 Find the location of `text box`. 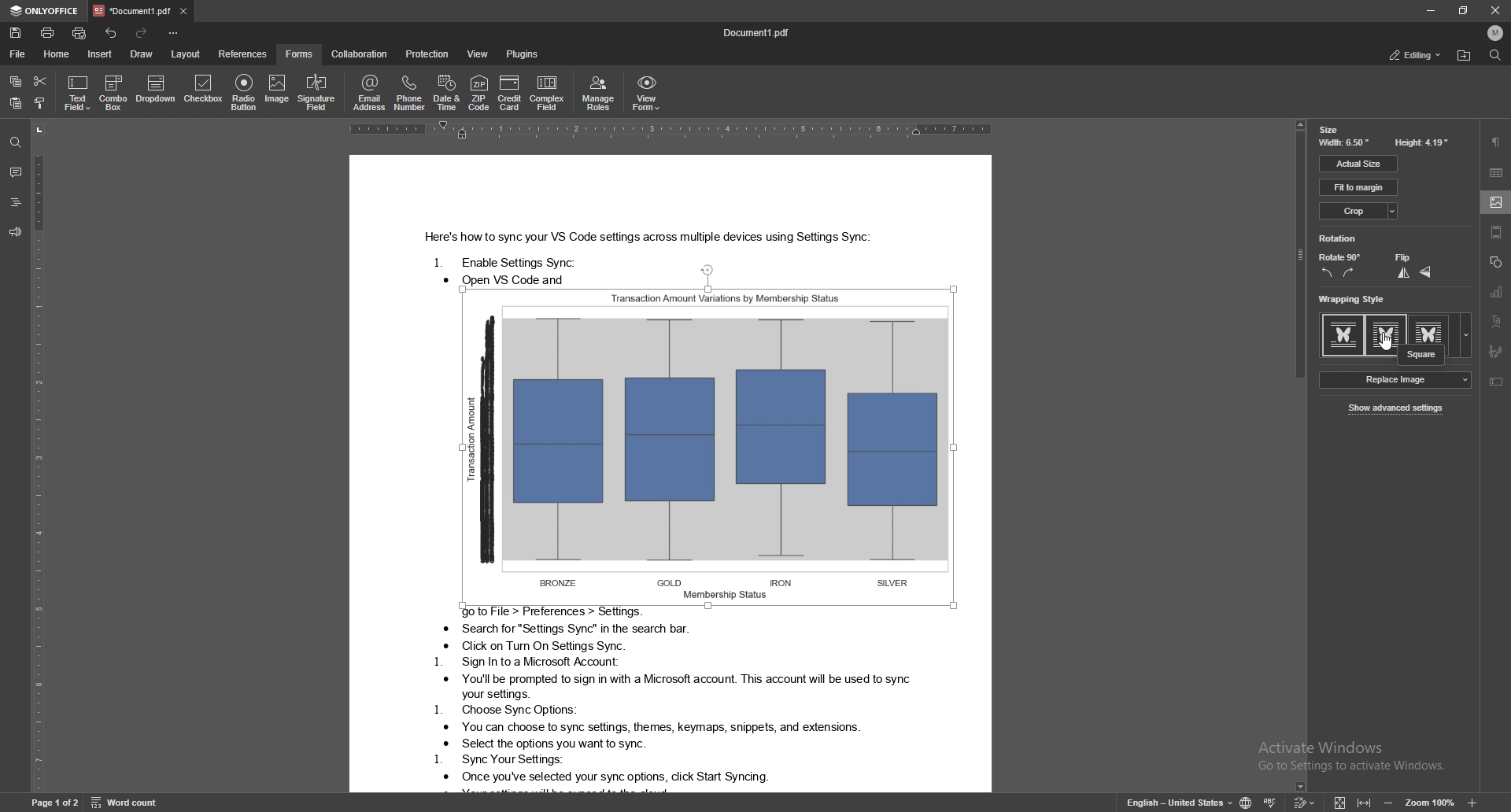

text box is located at coordinates (1496, 382).